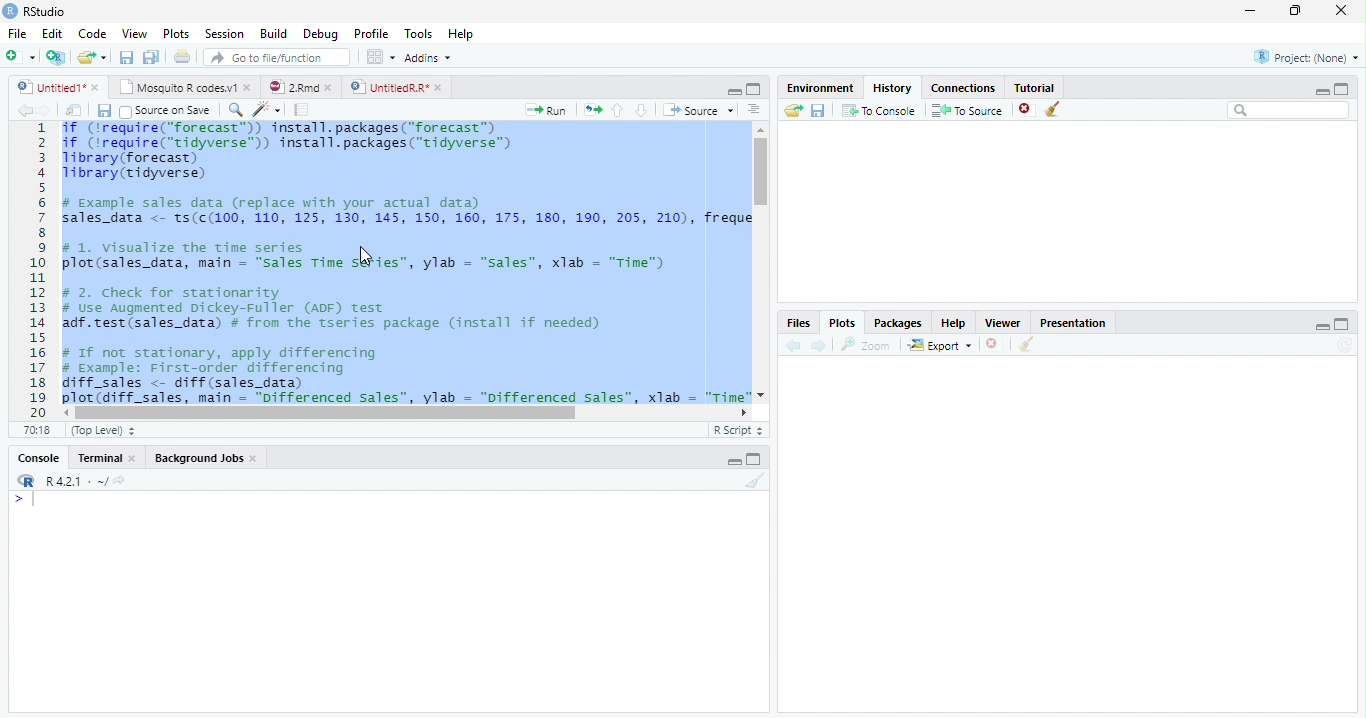 This screenshot has height=718, width=1366. I want to click on Cursor, so click(365, 256).